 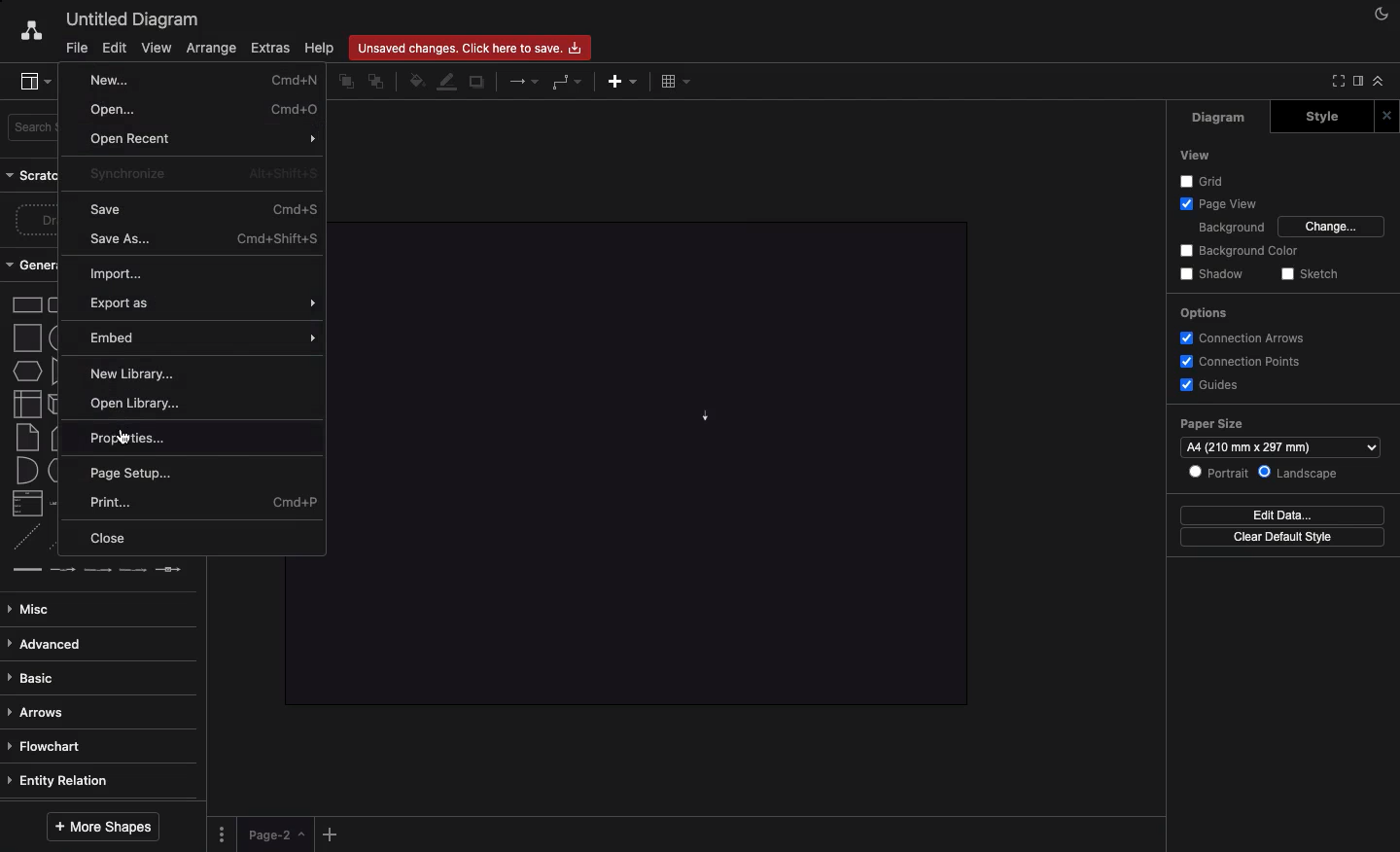 I want to click on Add, so click(x=332, y=831).